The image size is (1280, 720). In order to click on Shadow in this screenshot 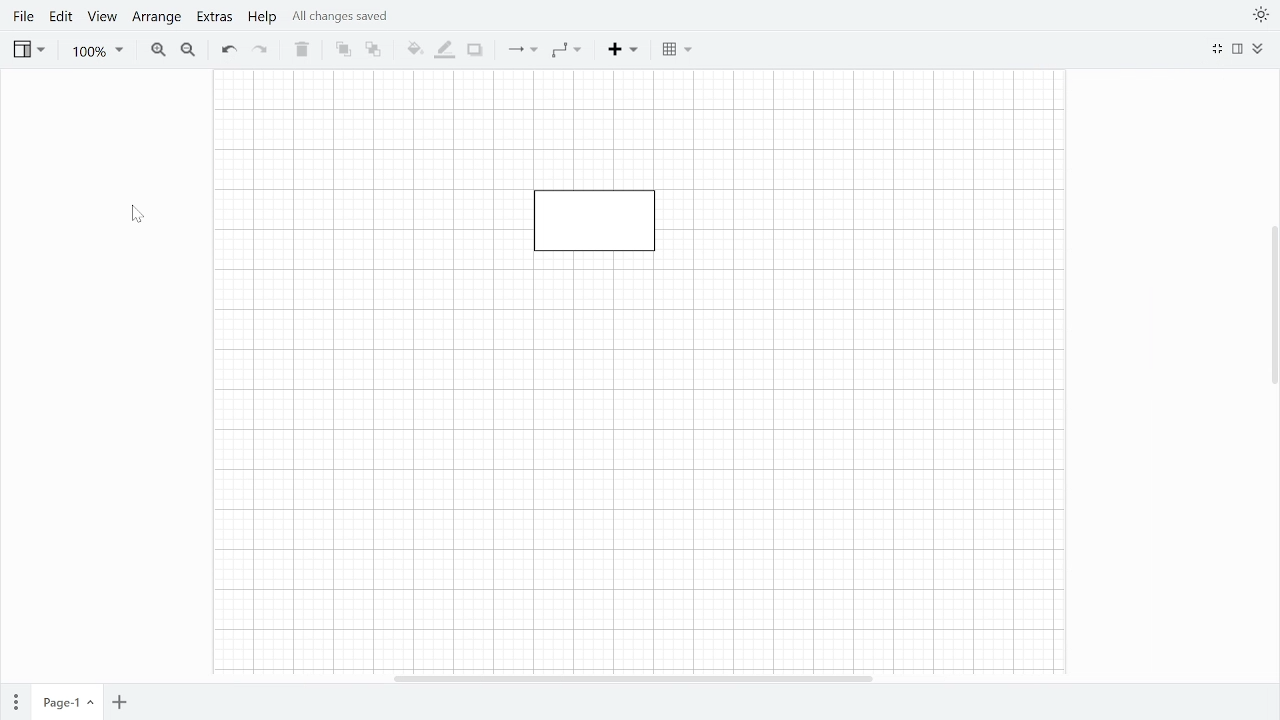, I will do `click(476, 51)`.